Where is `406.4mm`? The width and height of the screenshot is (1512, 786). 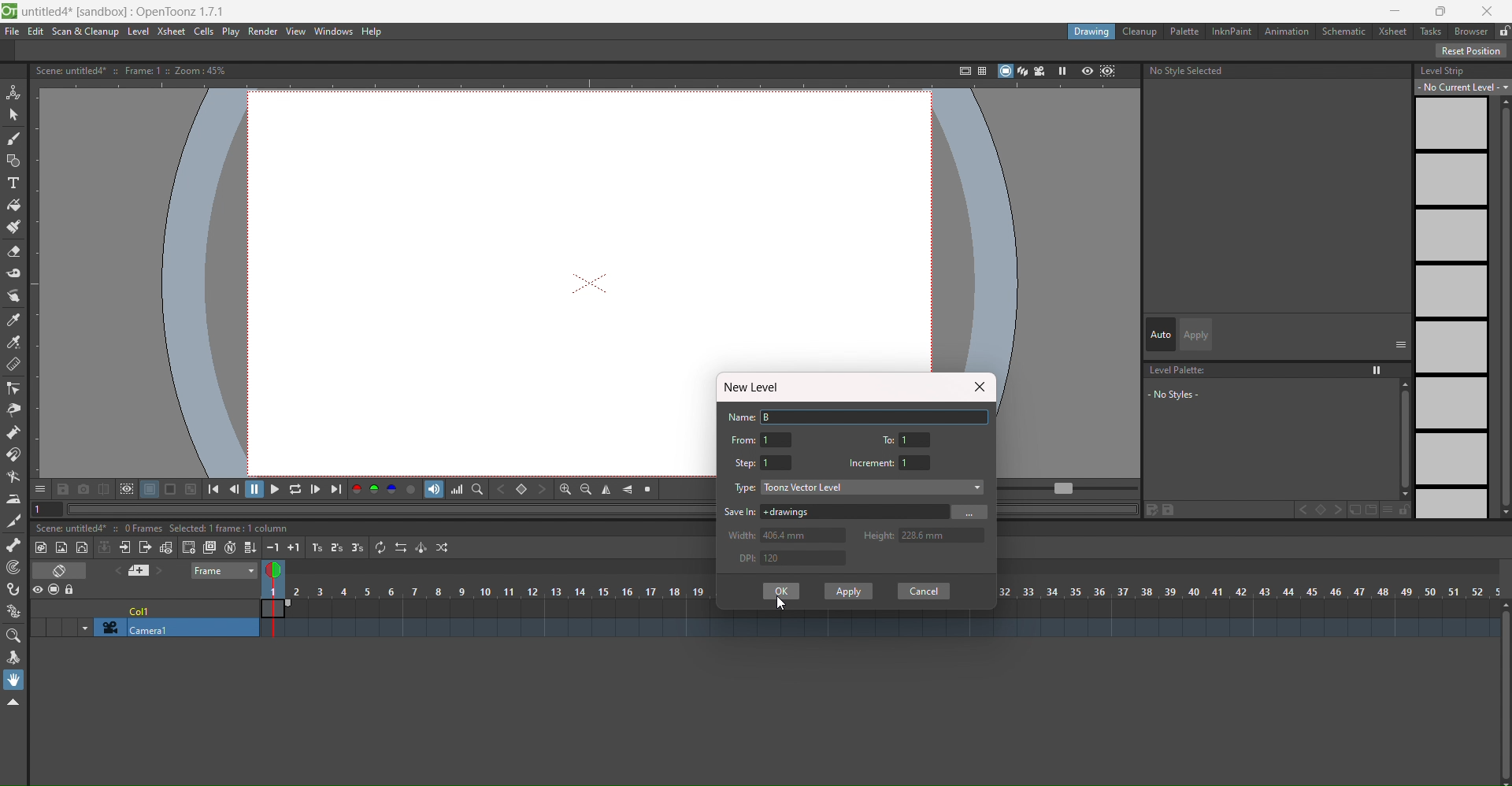 406.4mm is located at coordinates (806, 536).